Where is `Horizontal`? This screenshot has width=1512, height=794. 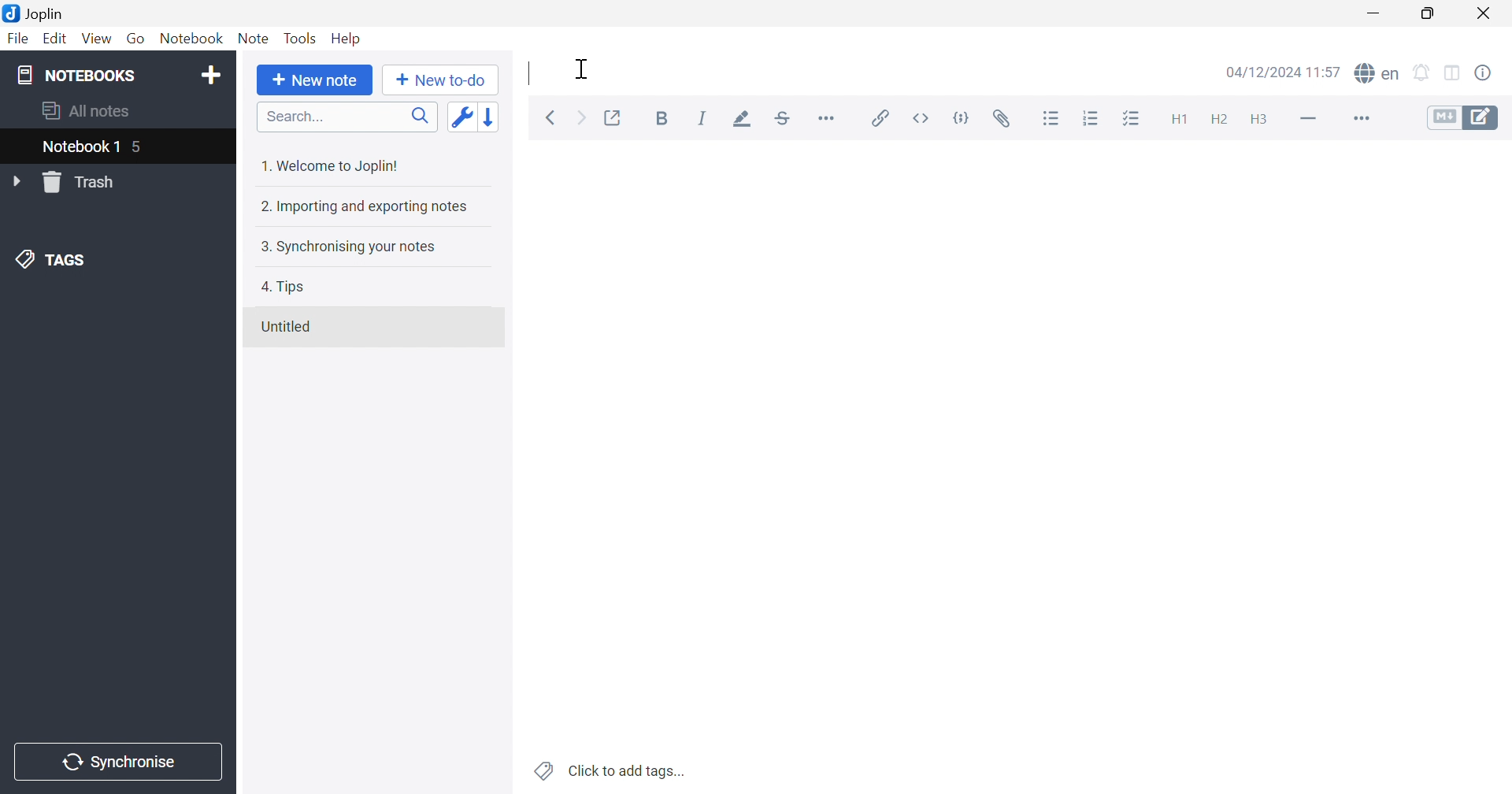 Horizontal is located at coordinates (829, 121).